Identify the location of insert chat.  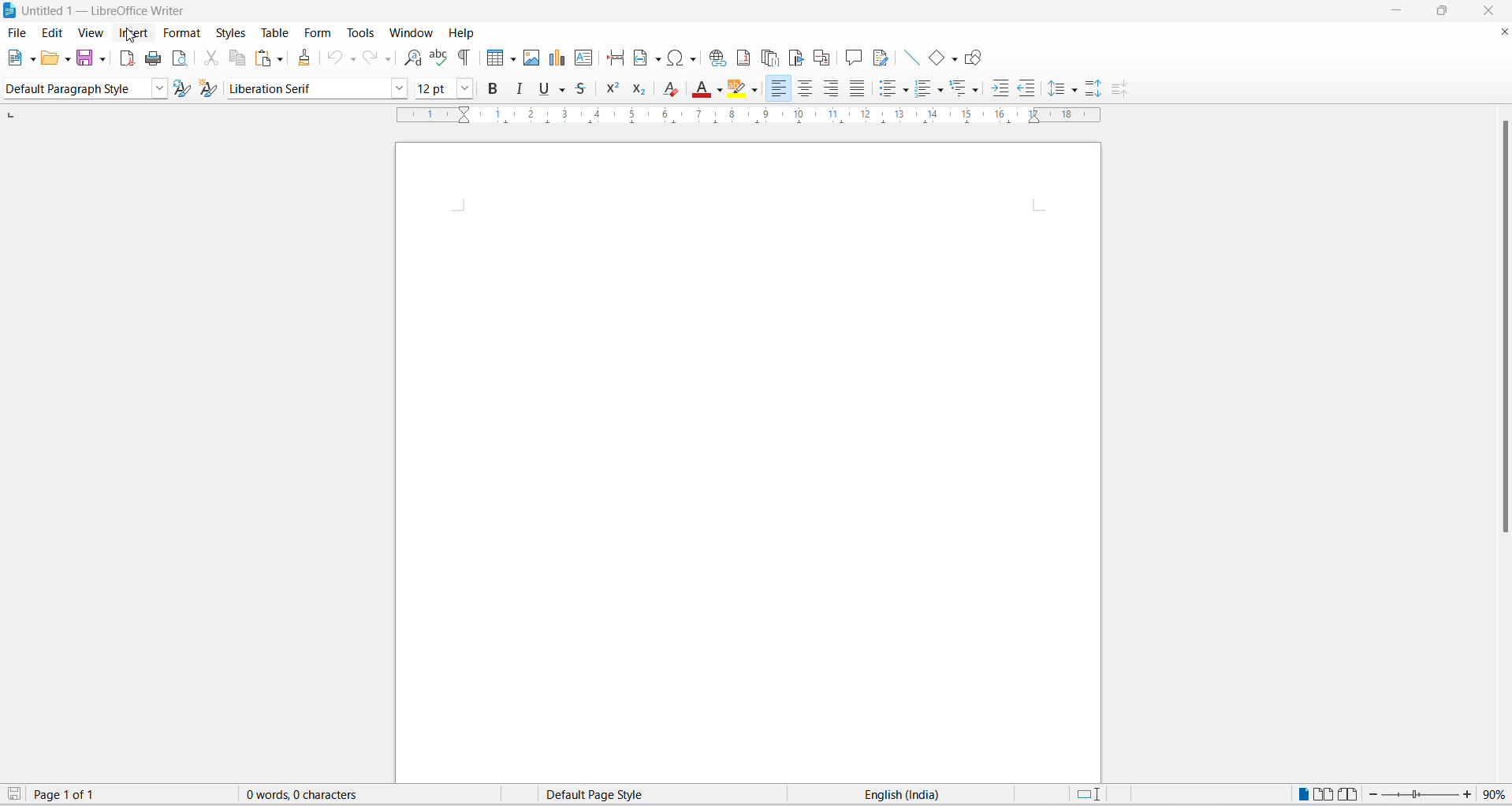
(557, 61).